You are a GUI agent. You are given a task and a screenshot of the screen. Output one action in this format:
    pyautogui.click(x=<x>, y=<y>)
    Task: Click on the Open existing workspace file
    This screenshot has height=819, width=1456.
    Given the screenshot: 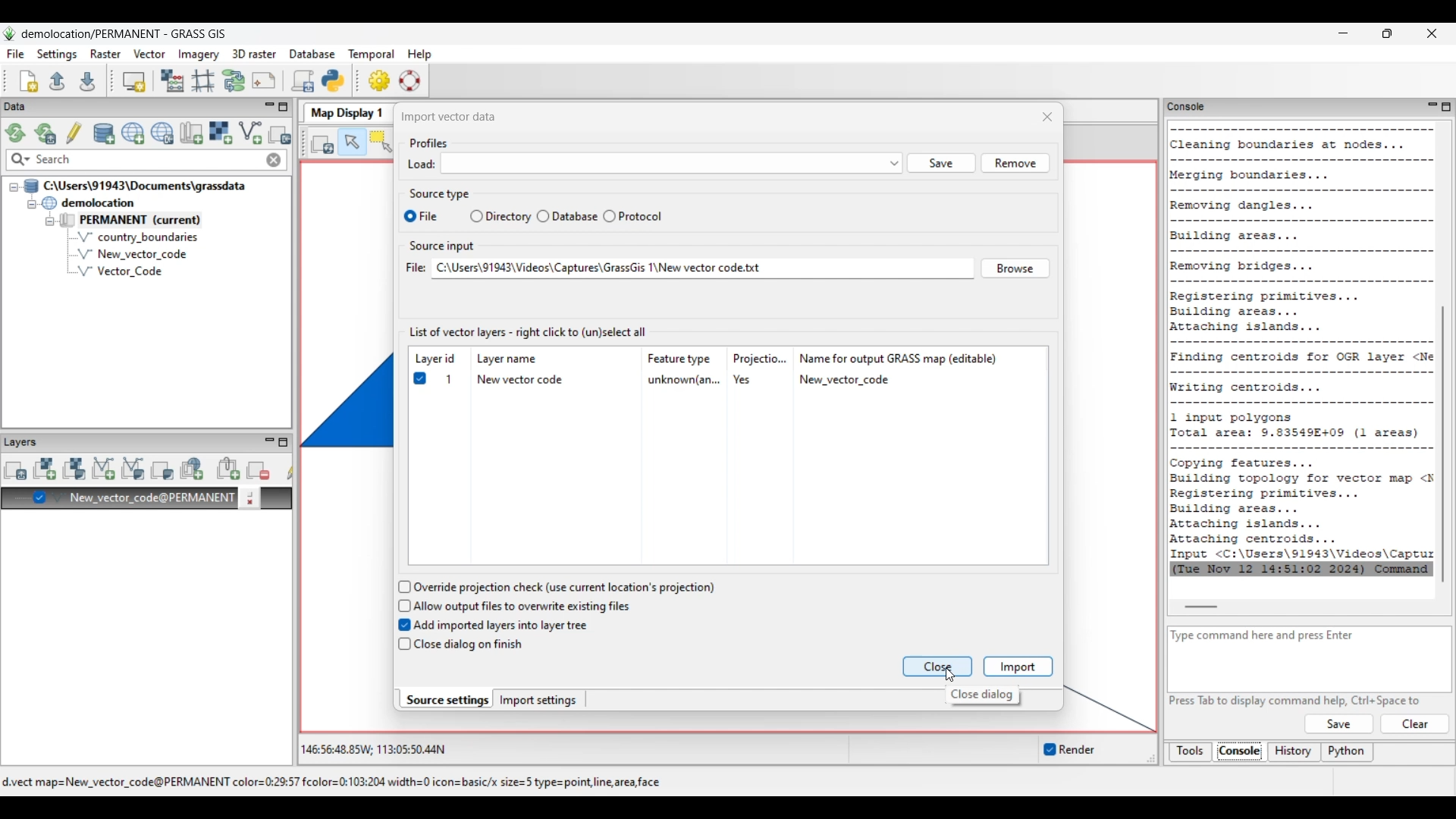 What is the action you would take?
    pyautogui.click(x=57, y=80)
    